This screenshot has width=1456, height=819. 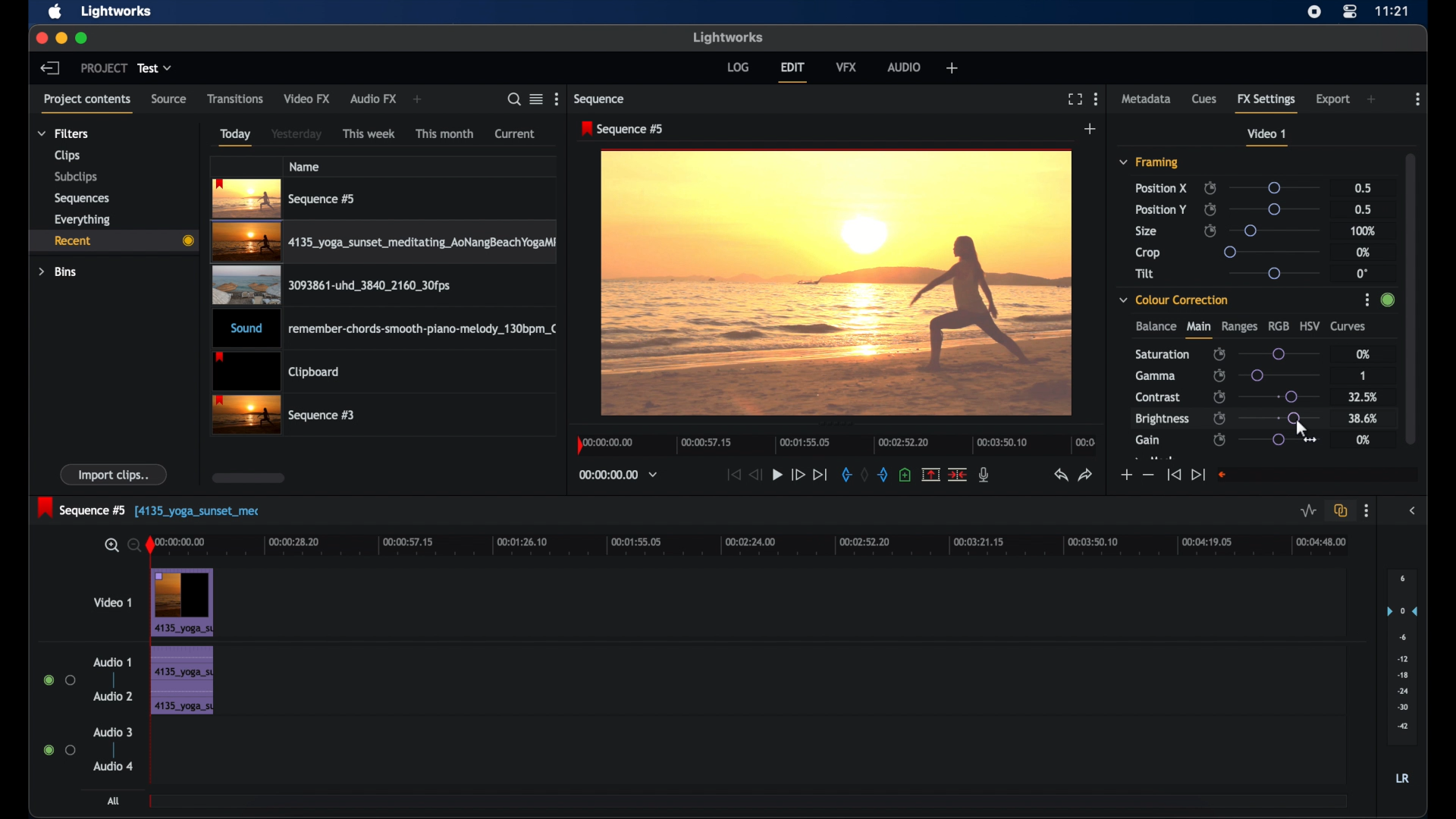 I want to click on 0%, so click(x=1361, y=252).